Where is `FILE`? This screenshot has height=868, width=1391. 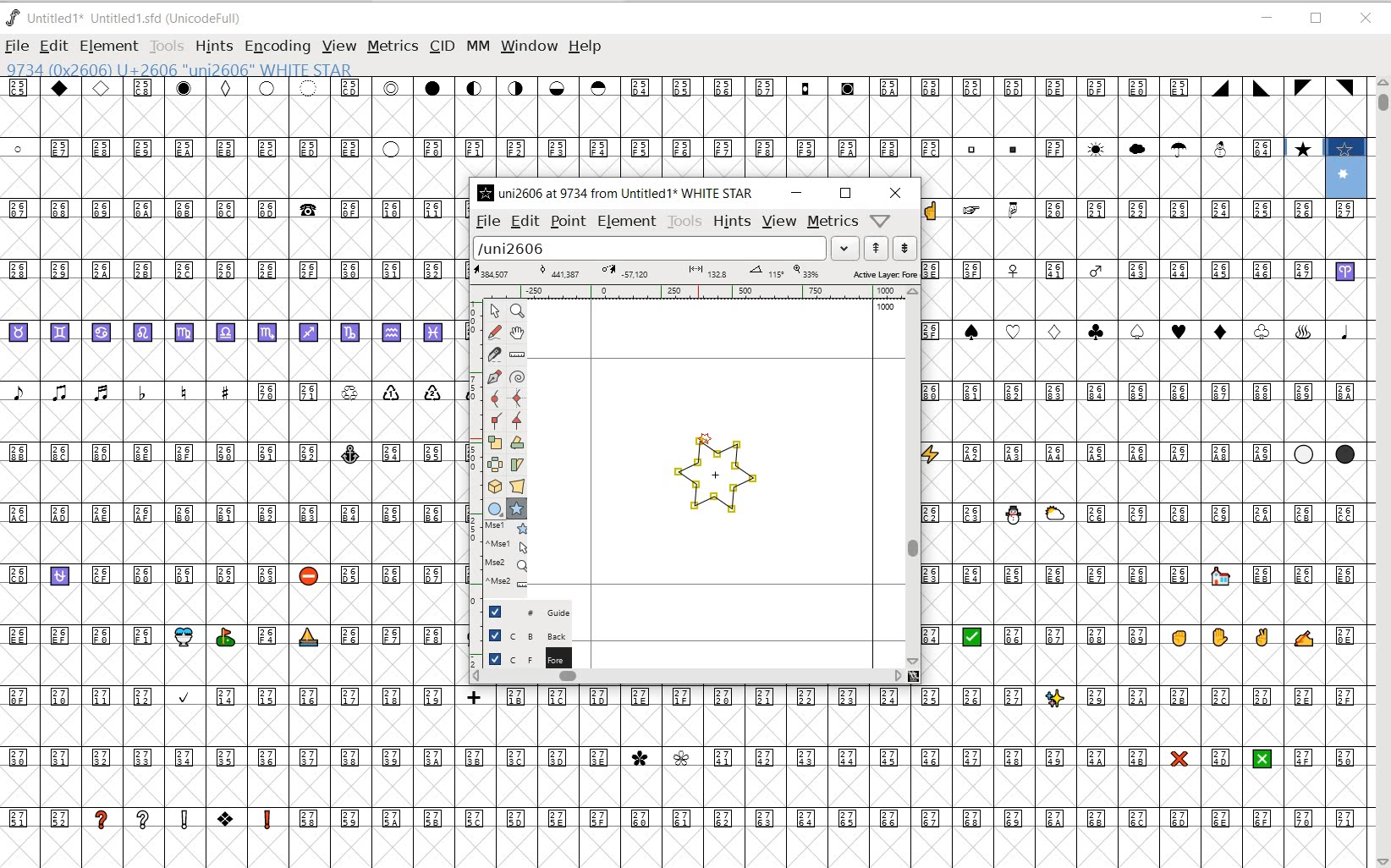
FILE is located at coordinates (487, 222).